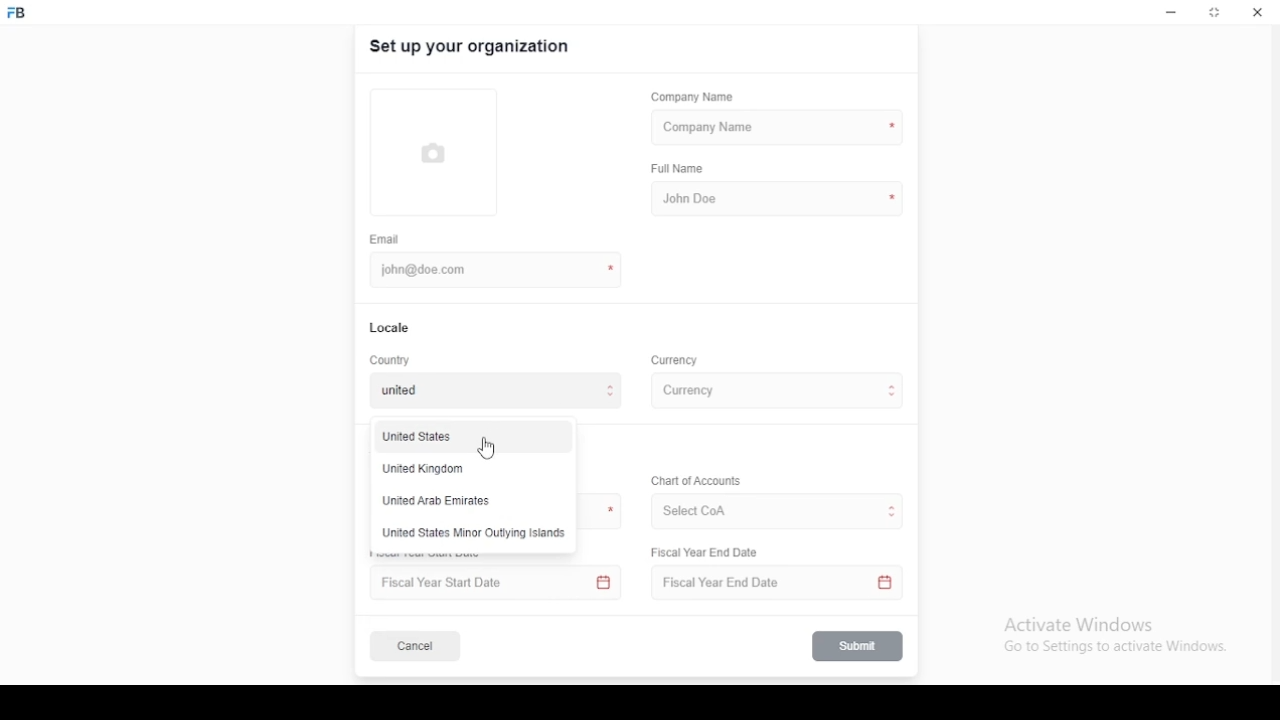  I want to click on Chart of Accounts, so click(693, 480).